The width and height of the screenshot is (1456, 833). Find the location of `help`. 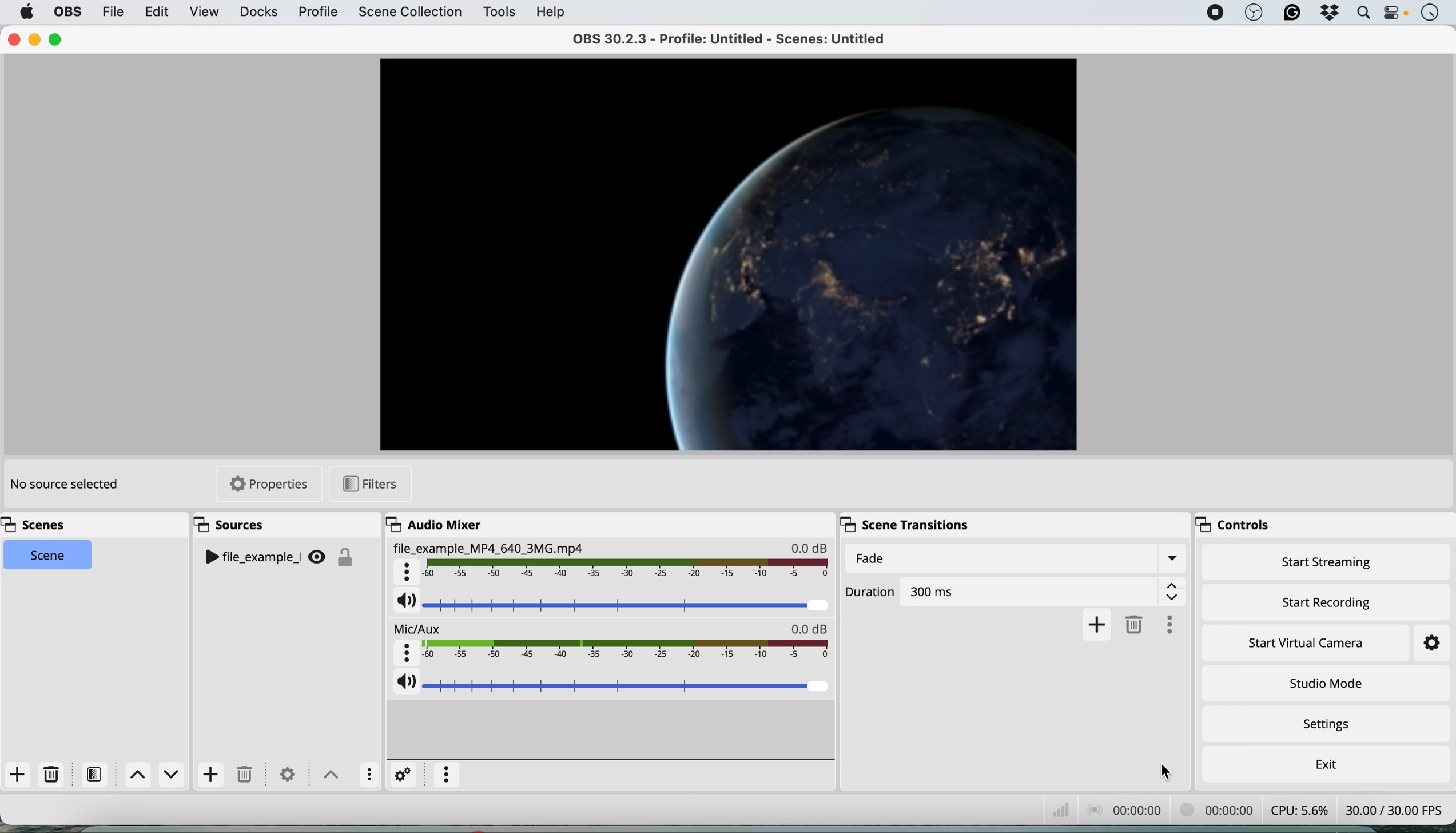

help is located at coordinates (552, 11).